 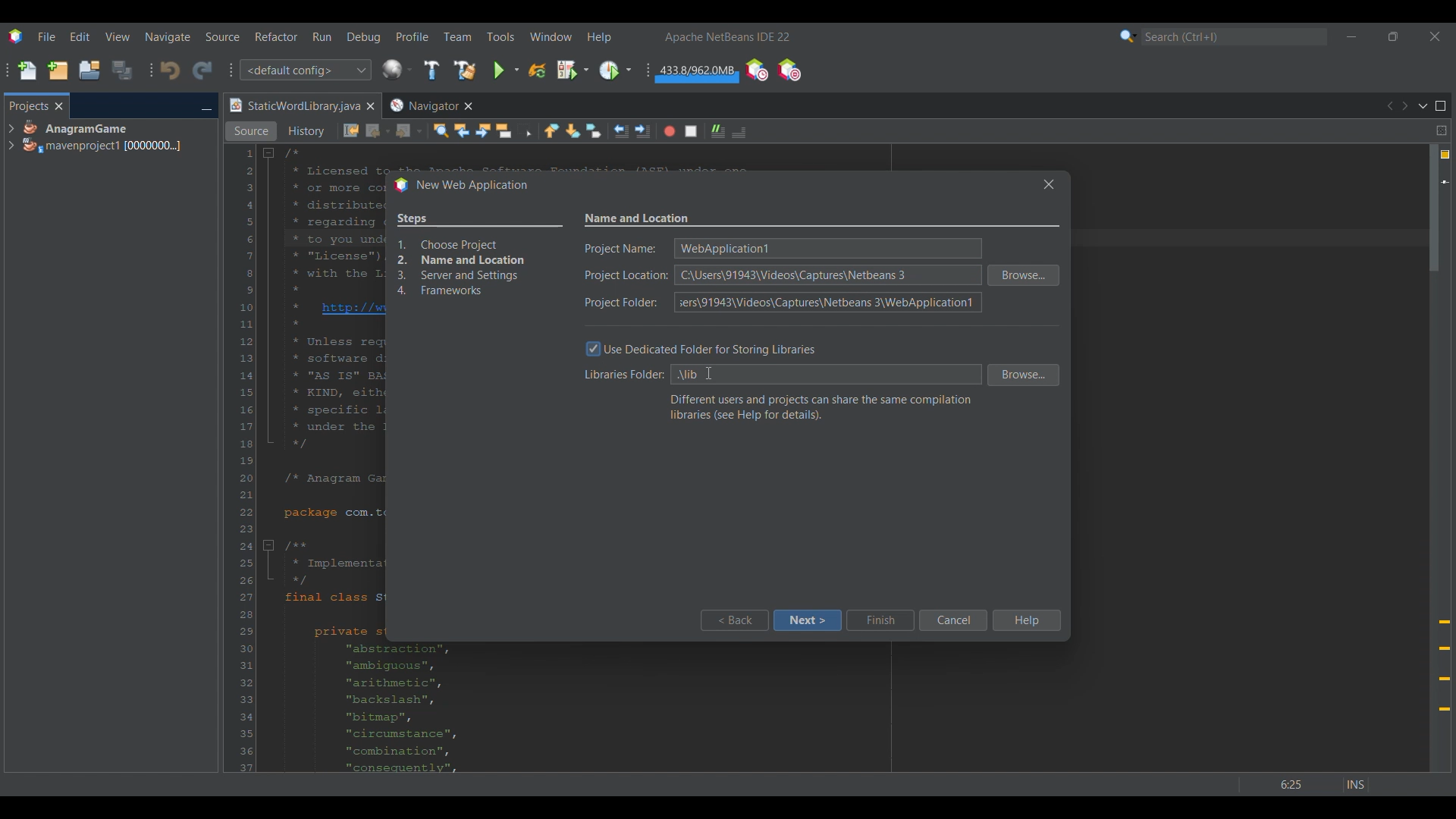 I want to click on Settings name, so click(x=638, y=219).